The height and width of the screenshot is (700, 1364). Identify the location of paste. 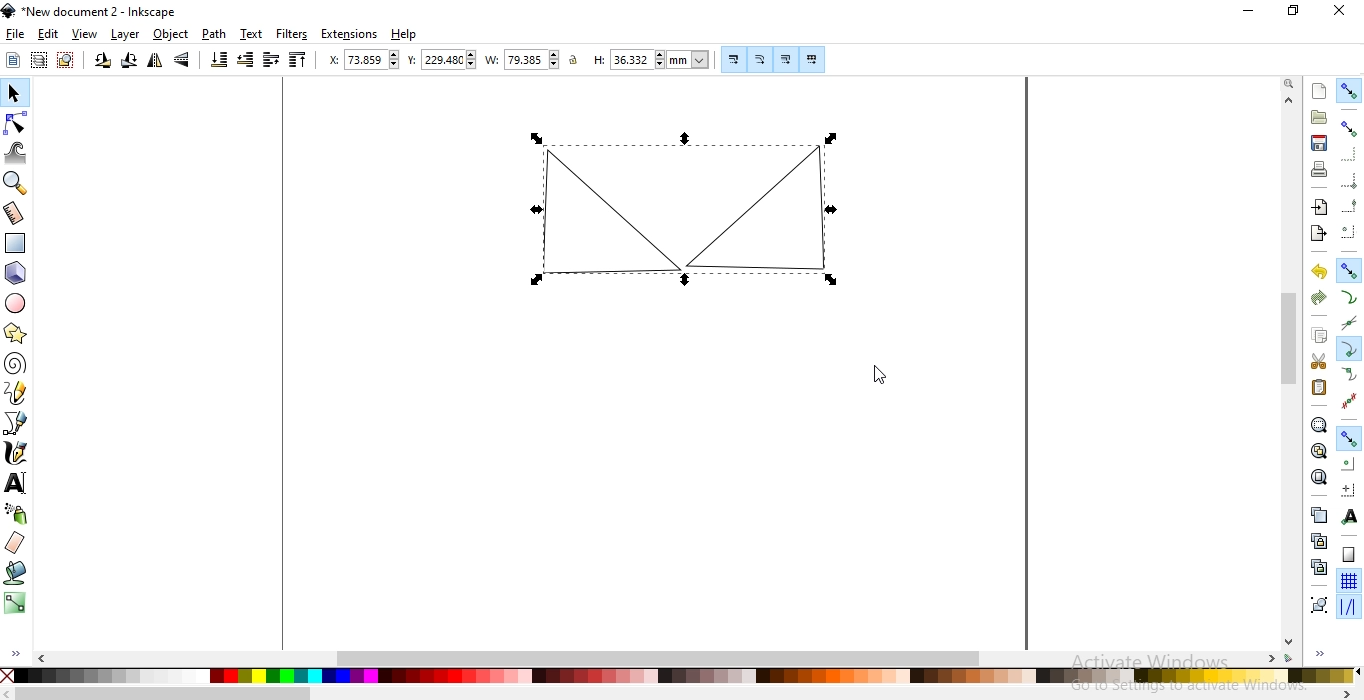
(1320, 387).